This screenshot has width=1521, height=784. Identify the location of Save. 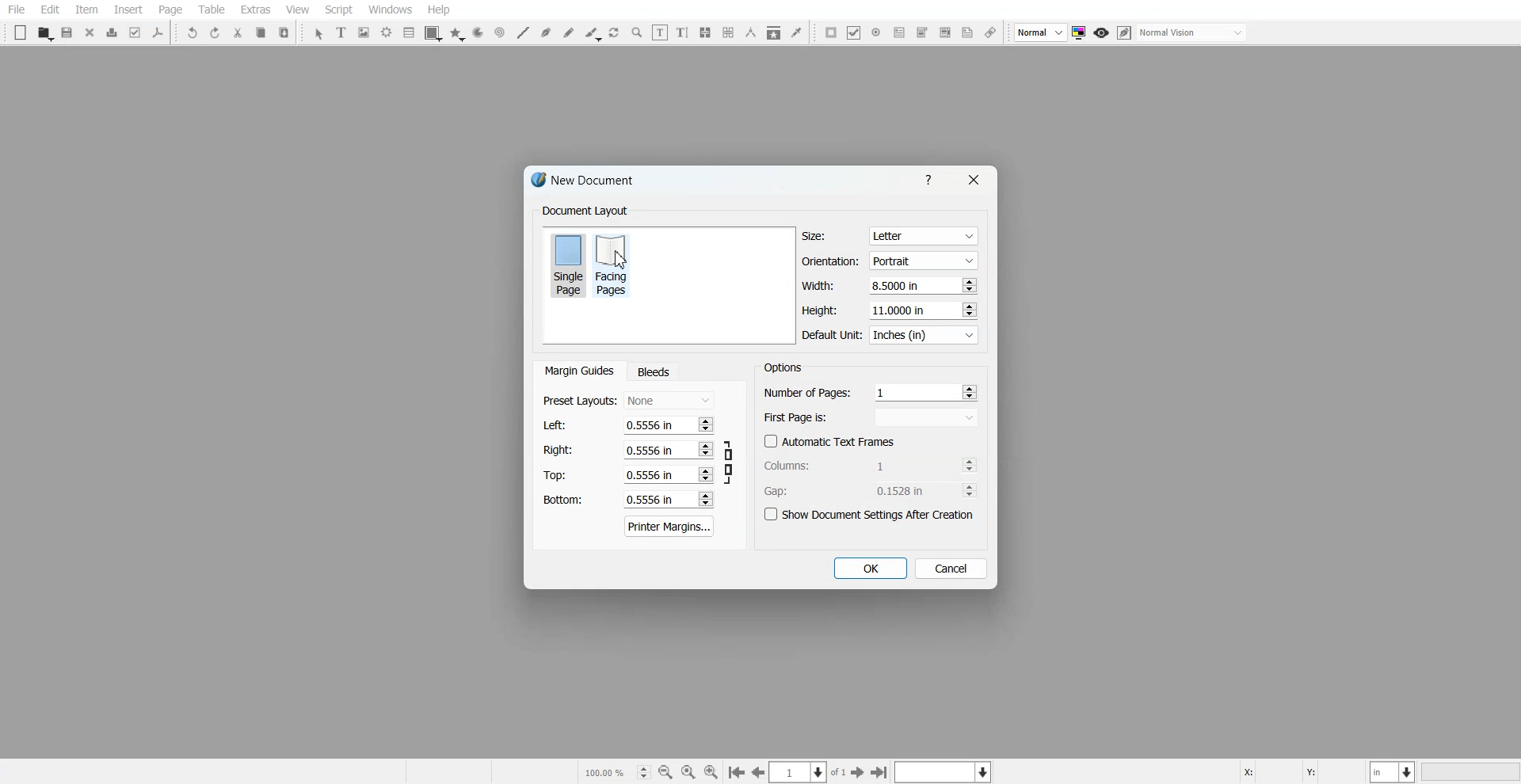
(68, 32).